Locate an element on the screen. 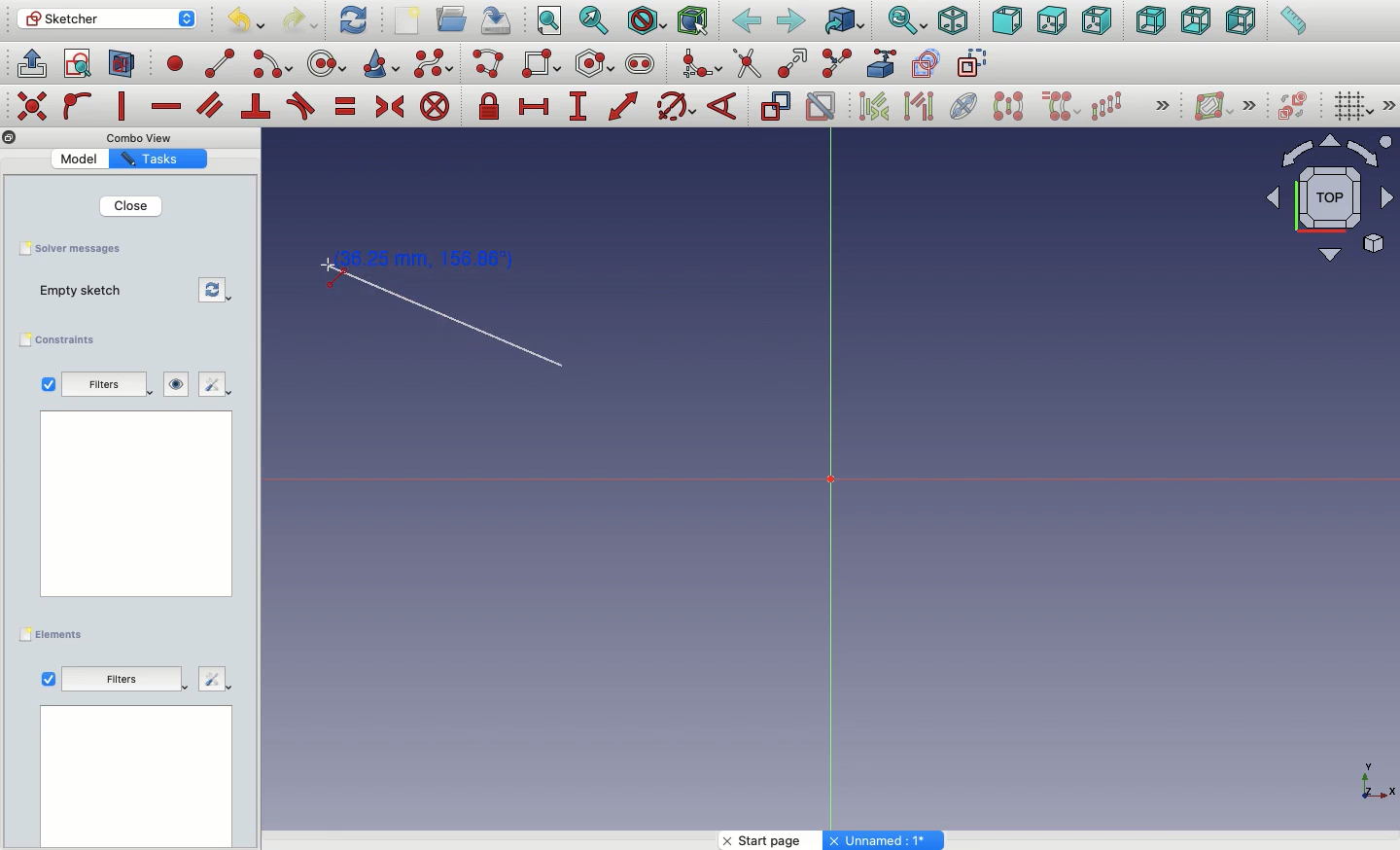 The height and width of the screenshot is (850, 1400). Constrain distance is located at coordinates (624, 106).